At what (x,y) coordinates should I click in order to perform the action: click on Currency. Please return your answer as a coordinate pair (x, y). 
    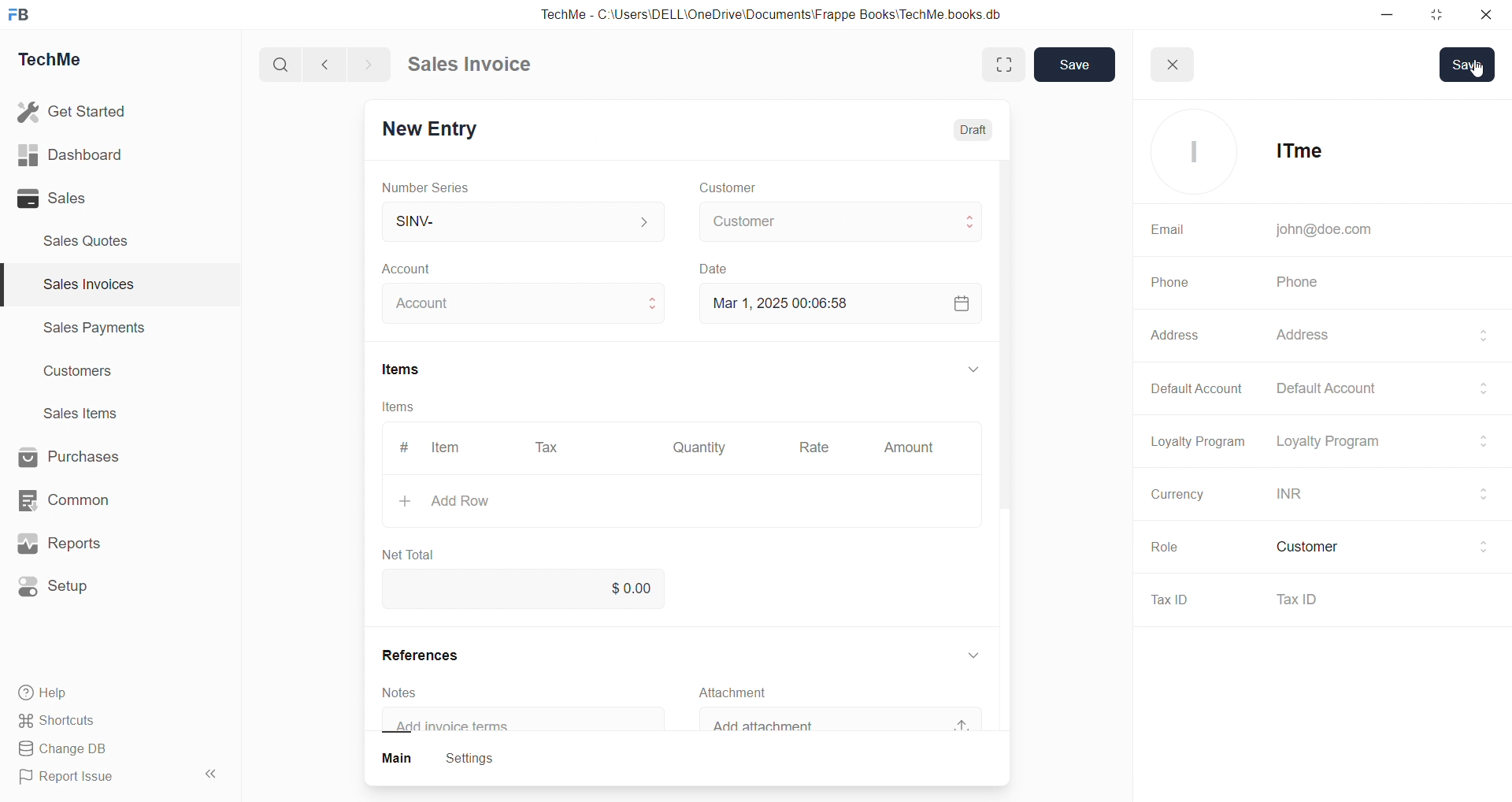
    Looking at the image, I should click on (1177, 496).